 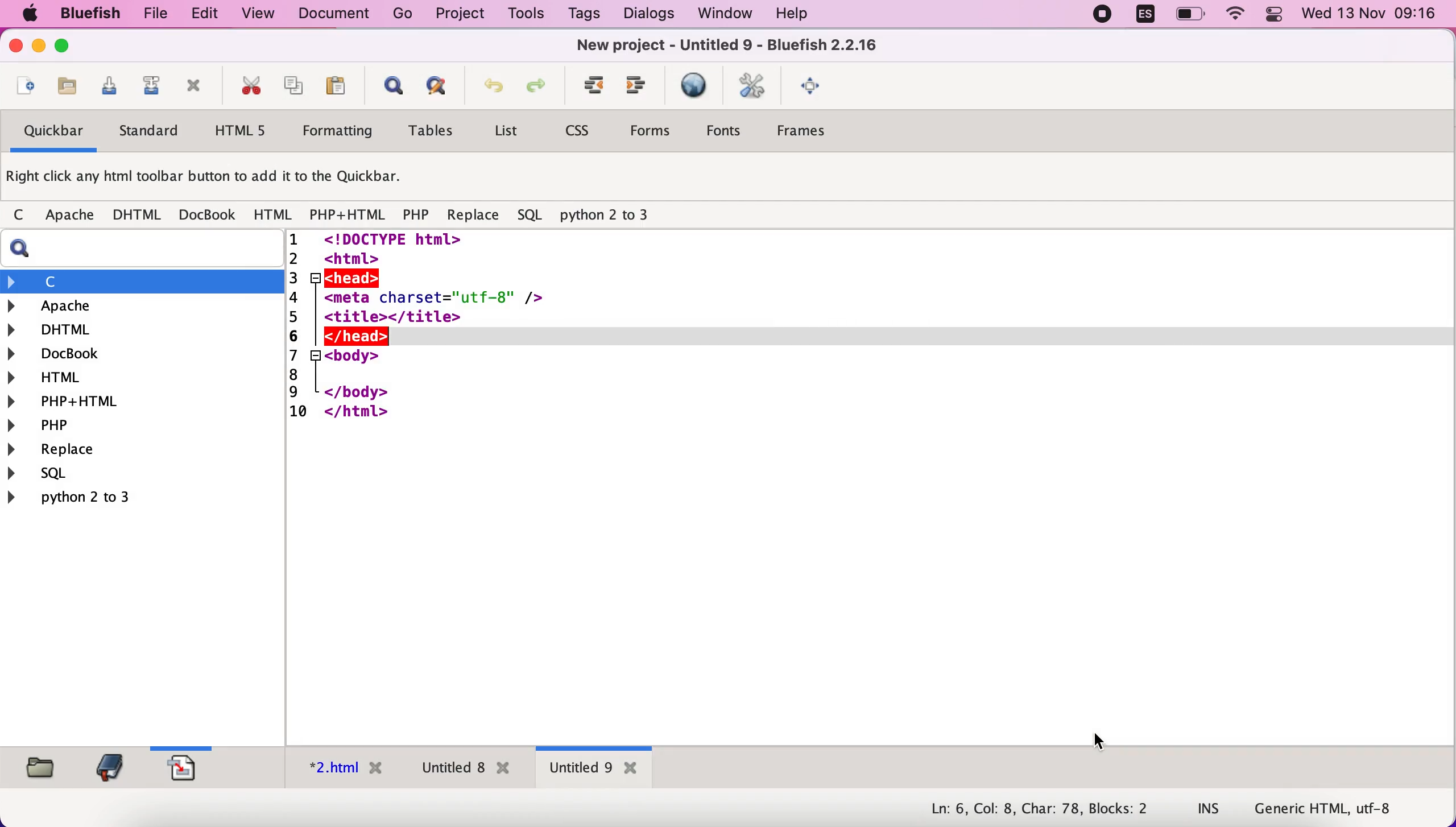 What do you see at coordinates (340, 133) in the screenshot?
I see `formatting` at bounding box center [340, 133].